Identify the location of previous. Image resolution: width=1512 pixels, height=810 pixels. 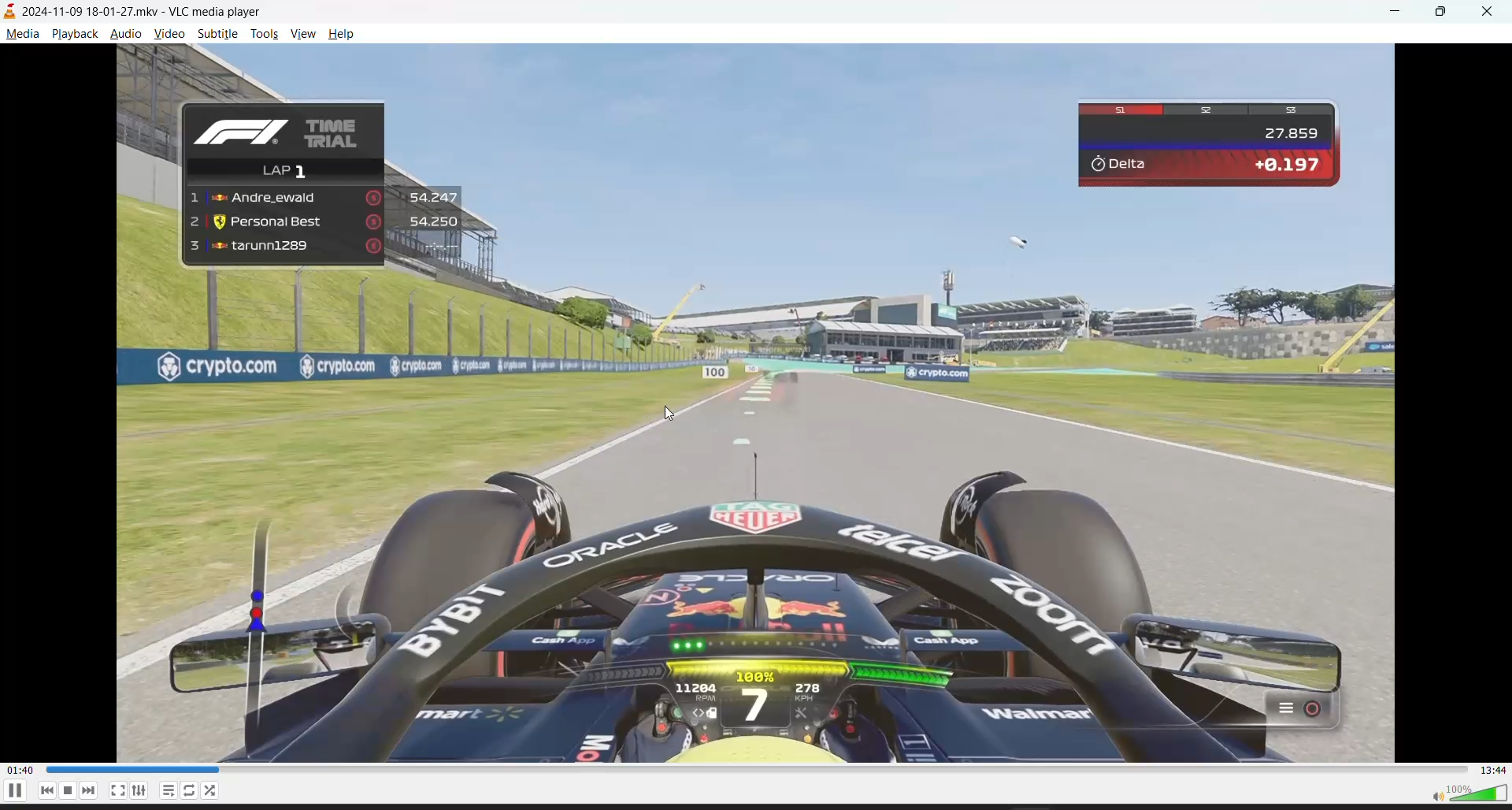
(47, 791).